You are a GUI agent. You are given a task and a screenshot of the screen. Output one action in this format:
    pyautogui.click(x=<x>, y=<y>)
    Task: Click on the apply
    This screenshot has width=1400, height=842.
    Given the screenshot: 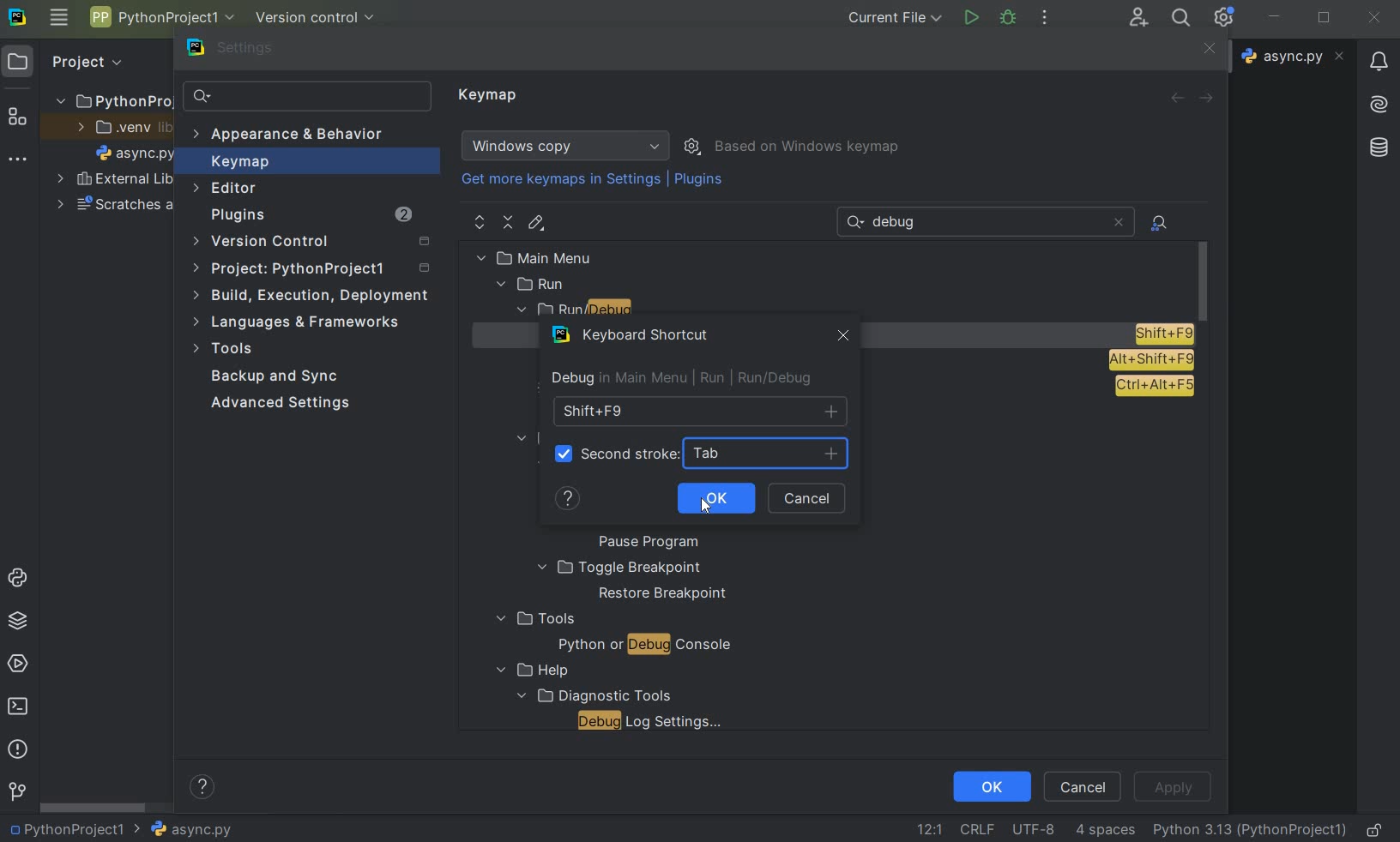 What is the action you would take?
    pyautogui.click(x=1172, y=787)
    